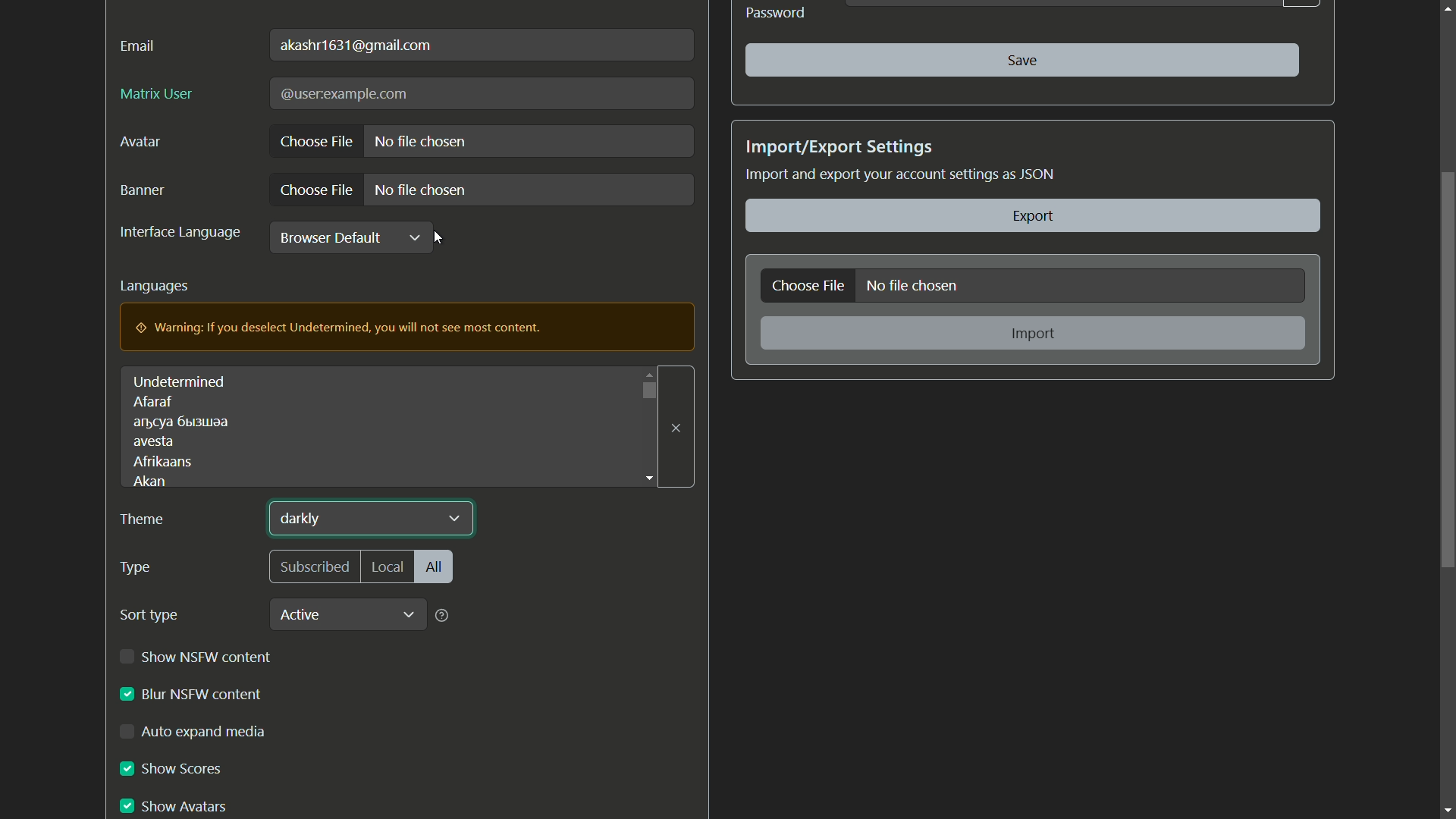 This screenshot has height=819, width=1456. What do you see at coordinates (163, 461) in the screenshot?
I see `afrikaans` at bounding box center [163, 461].